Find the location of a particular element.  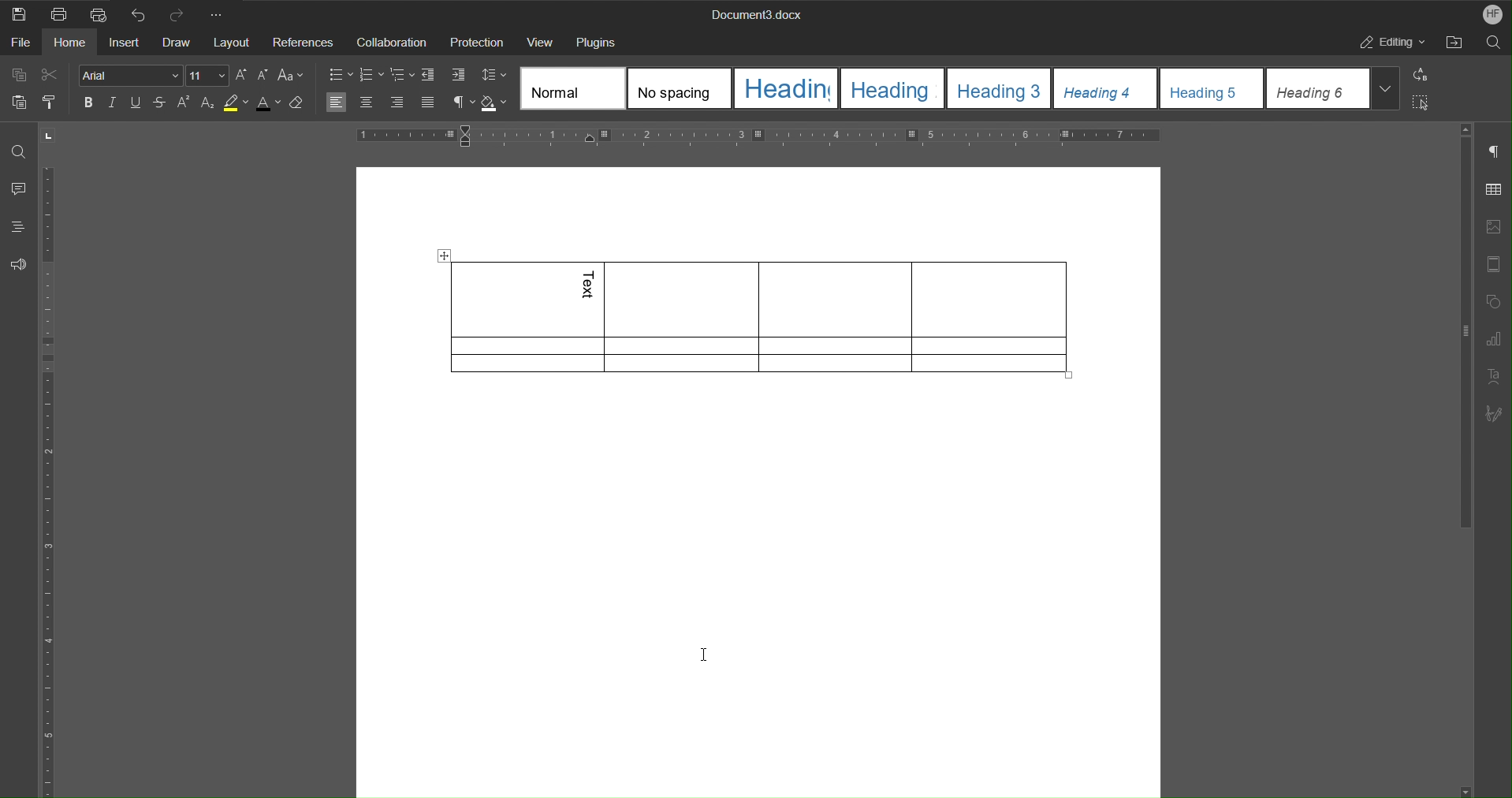

vertical scroll bar is located at coordinates (1463, 334).